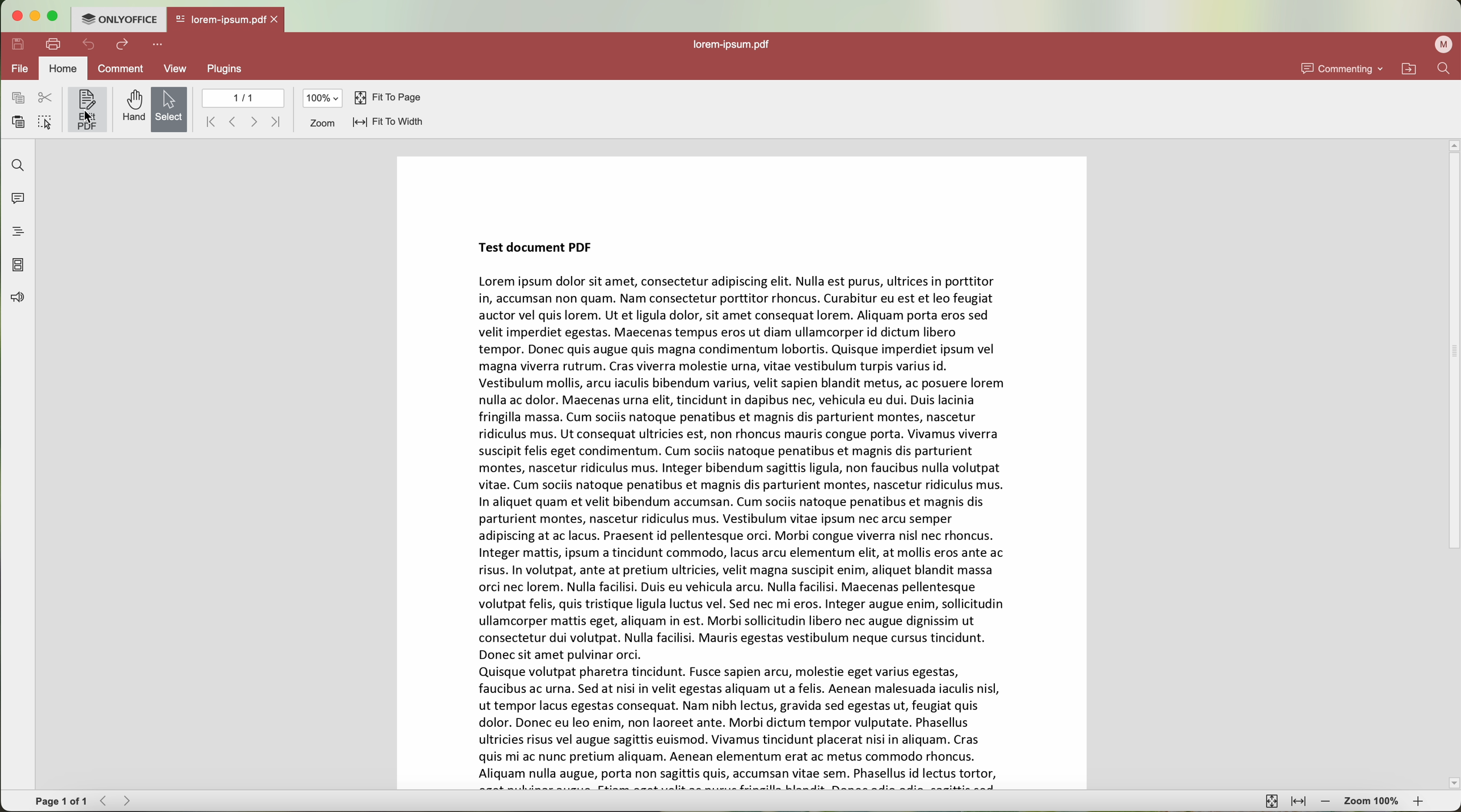 This screenshot has height=812, width=1461. Describe the element at coordinates (19, 232) in the screenshot. I see `headings` at that location.